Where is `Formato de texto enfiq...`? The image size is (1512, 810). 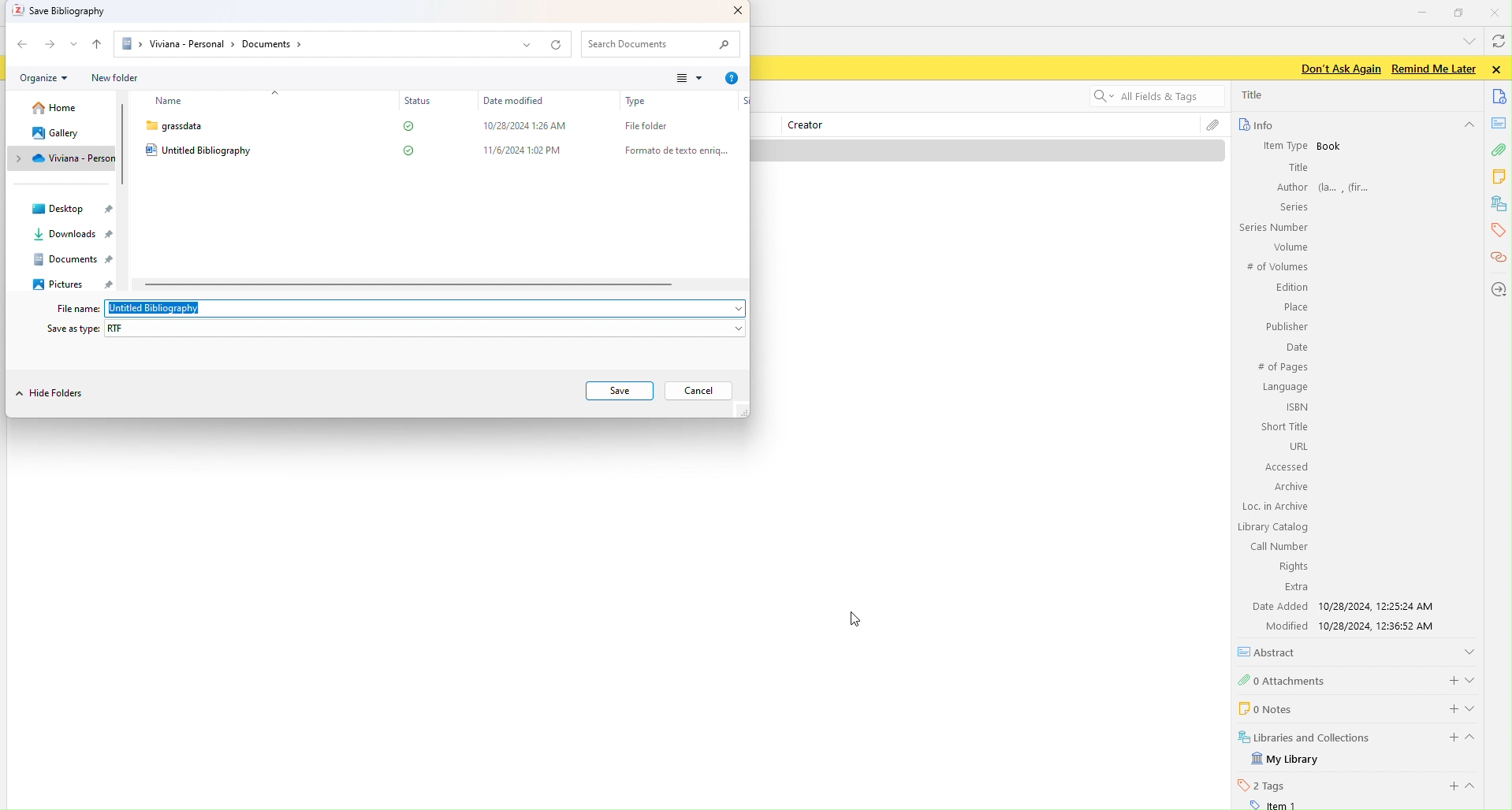 Formato de texto enfiq... is located at coordinates (672, 150).